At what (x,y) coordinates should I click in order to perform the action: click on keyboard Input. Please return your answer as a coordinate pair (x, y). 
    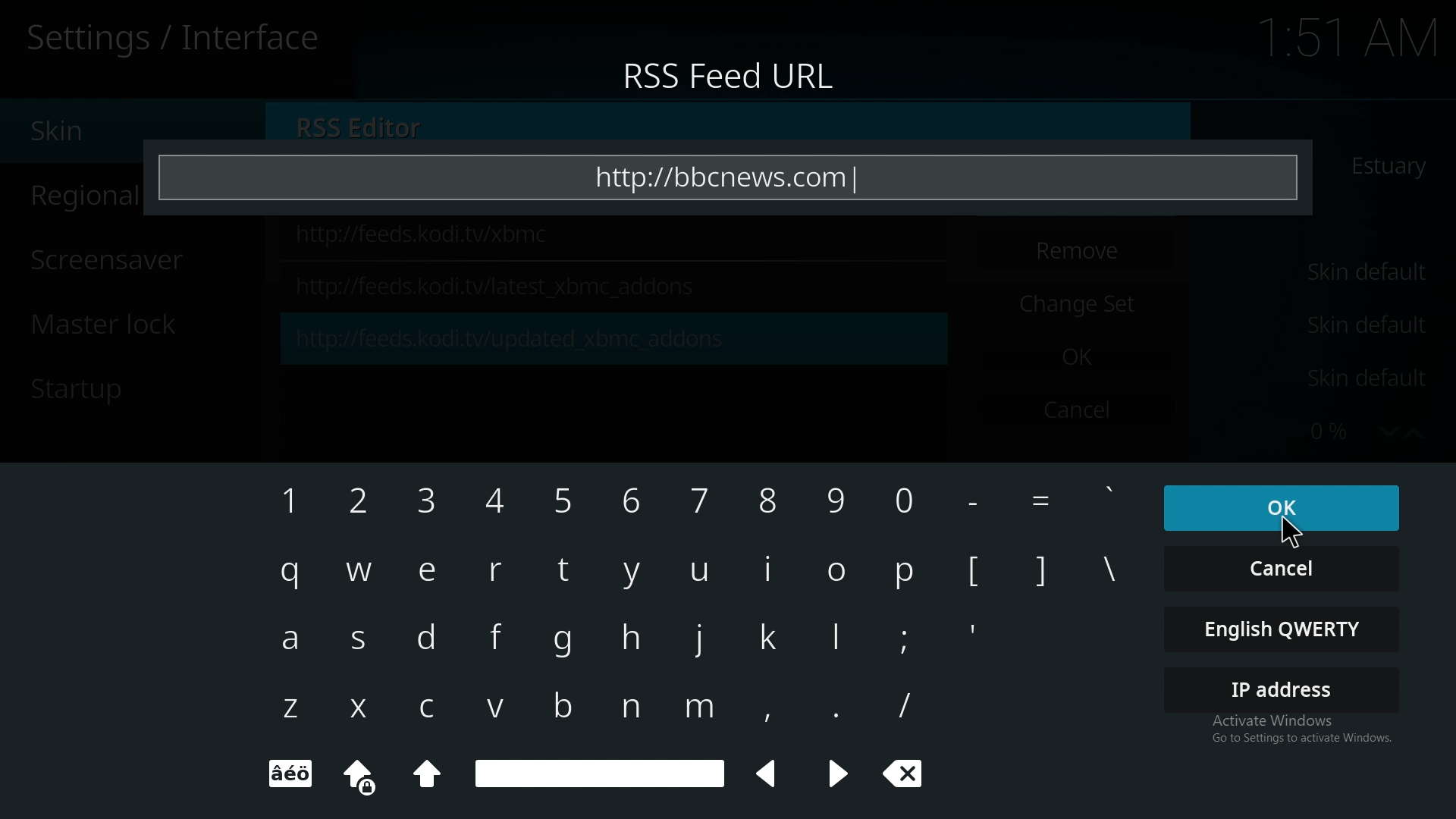
    Looking at the image, I should click on (905, 502).